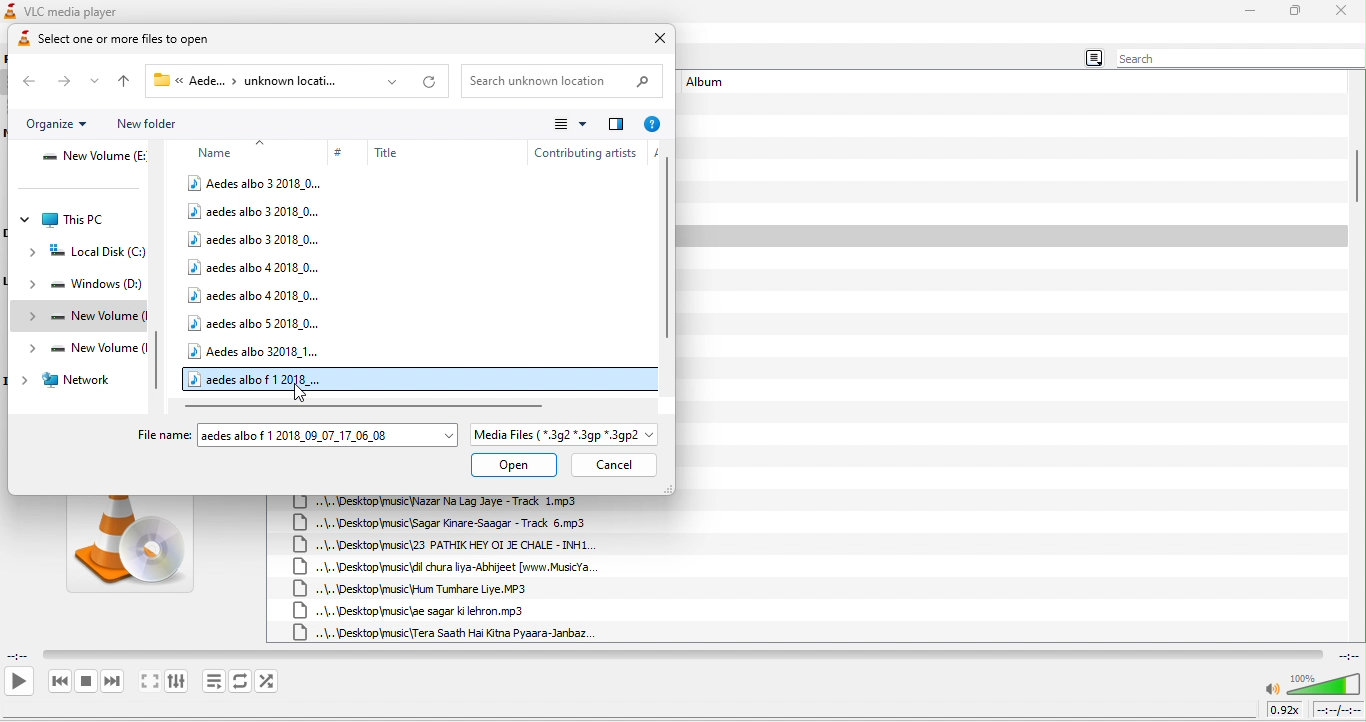 The image size is (1366, 722). What do you see at coordinates (428, 152) in the screenshot?
I see `title` at bounding box center [428, 152].